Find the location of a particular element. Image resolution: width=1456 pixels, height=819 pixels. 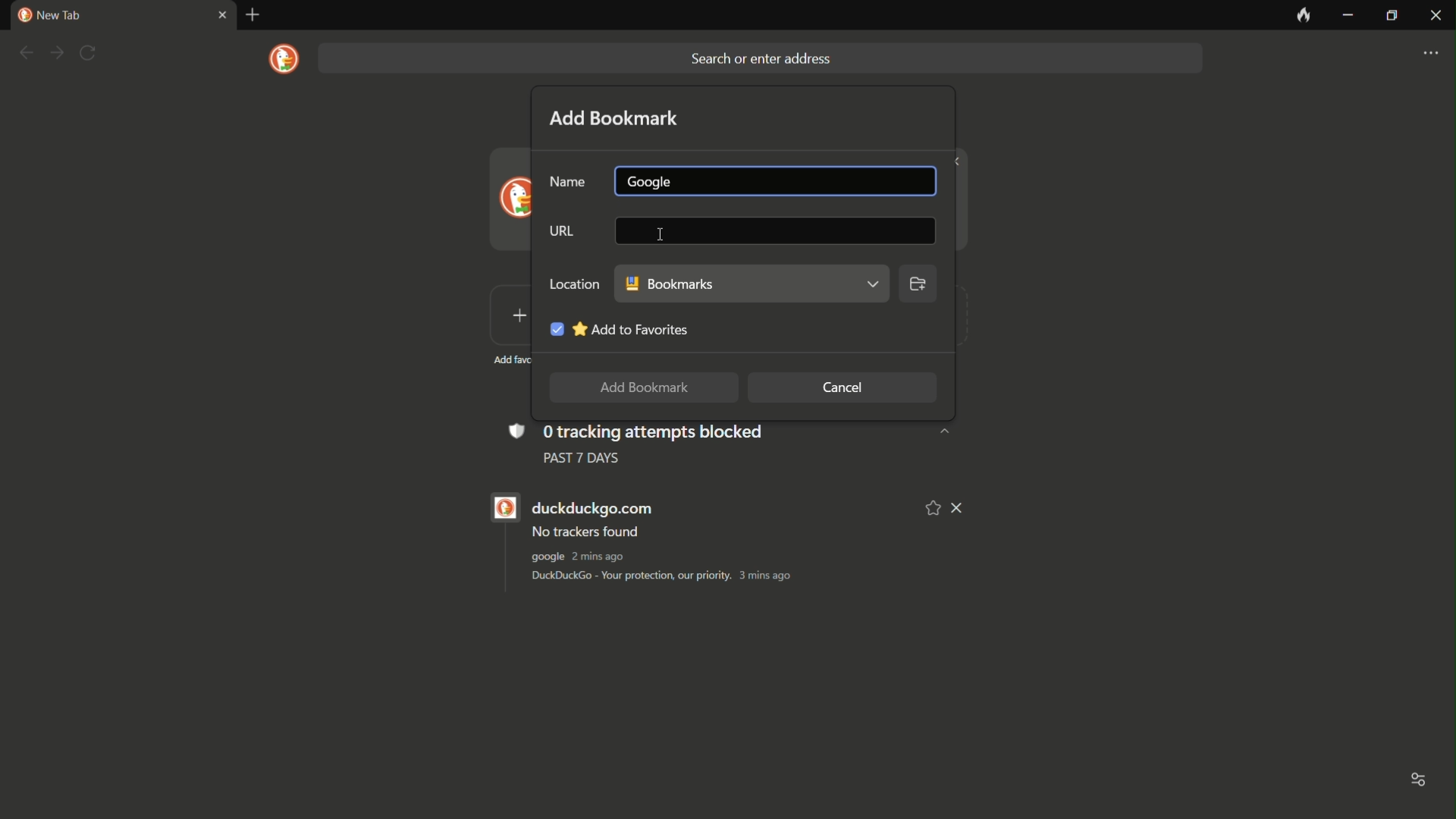

add to favorite is located at coordinates (617, 326).